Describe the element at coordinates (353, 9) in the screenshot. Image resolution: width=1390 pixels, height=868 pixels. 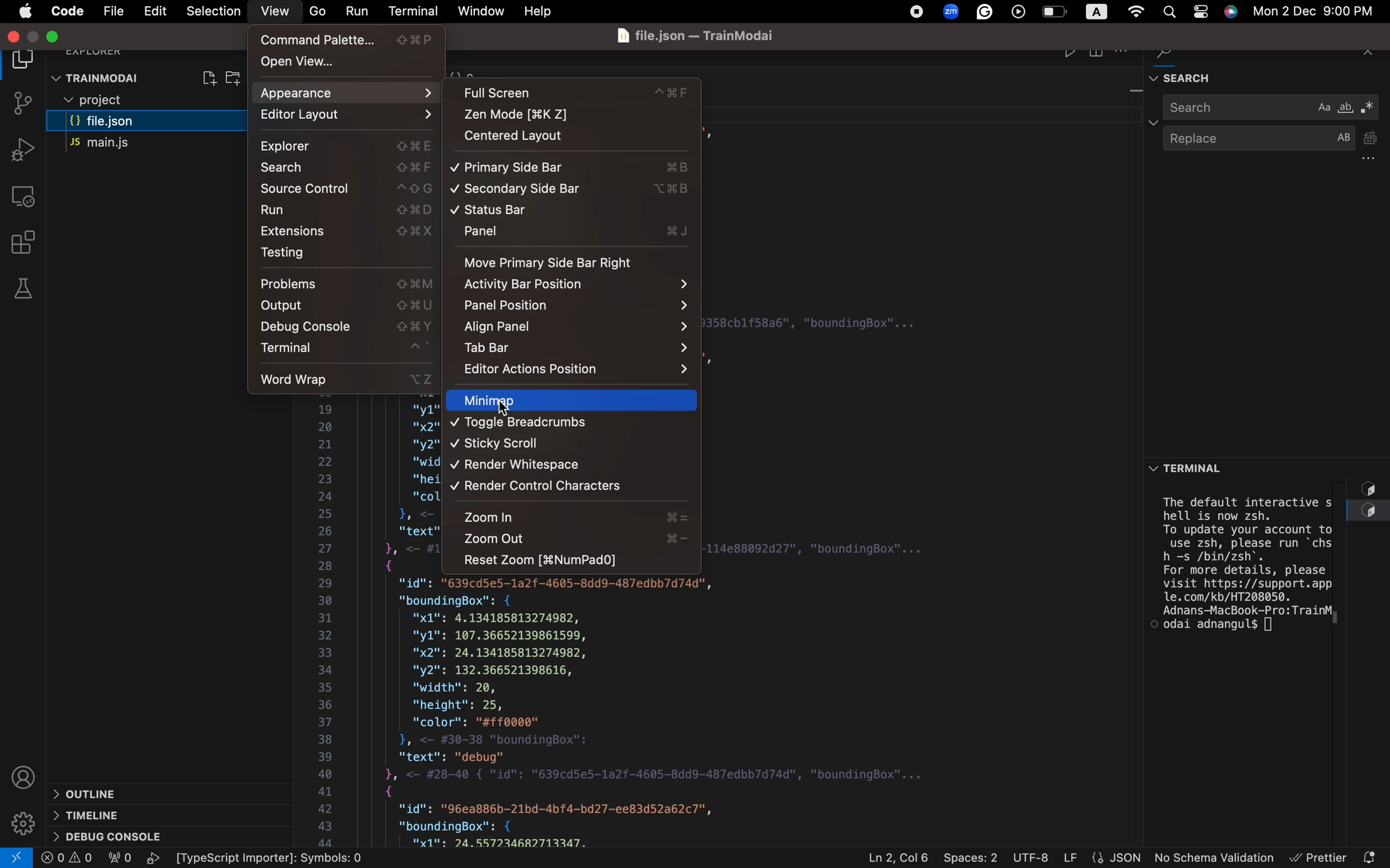
I see `run` at that location.